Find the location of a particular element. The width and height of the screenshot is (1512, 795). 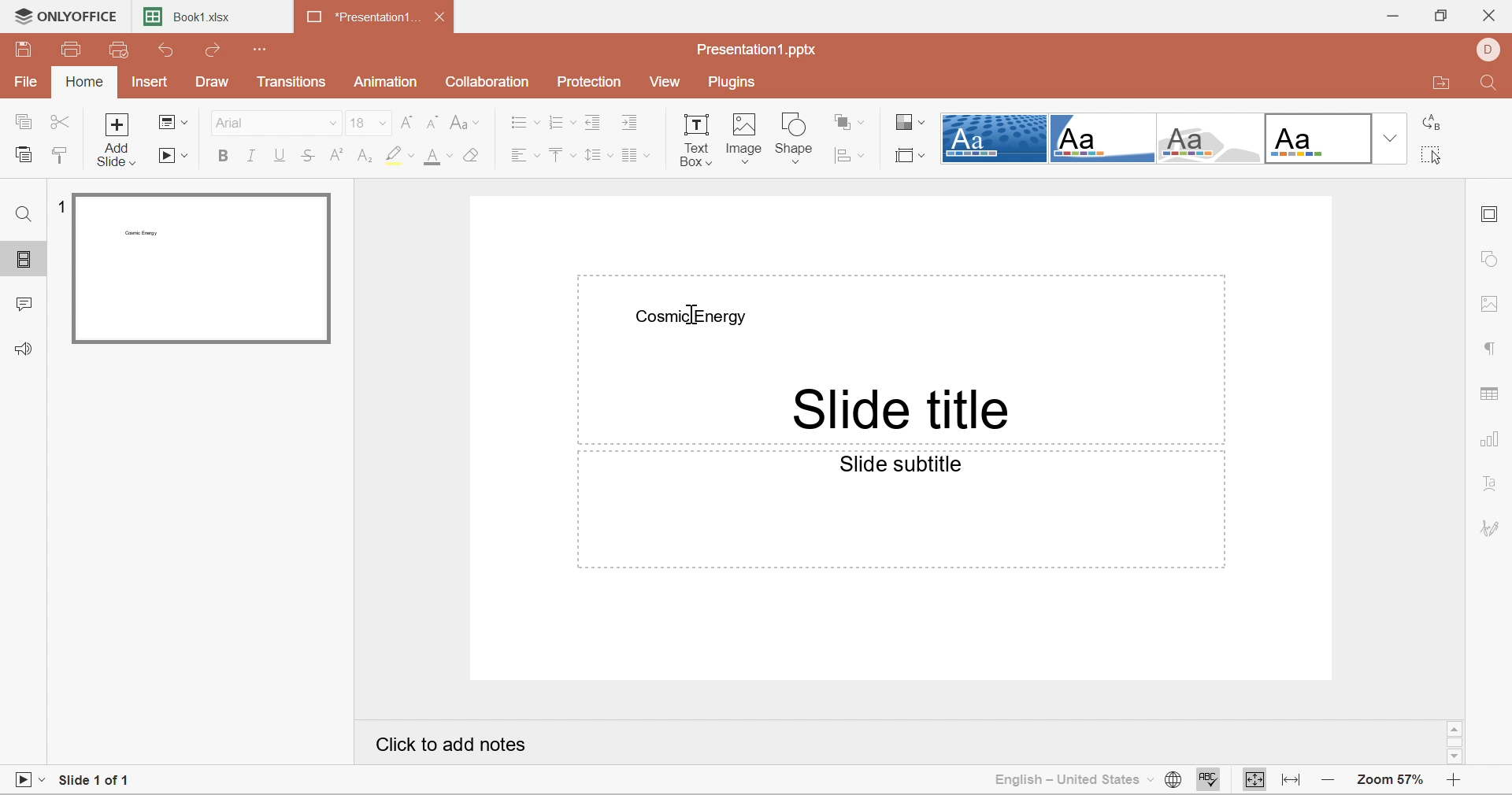

Slide settings is located at coordinates (1490, 217).